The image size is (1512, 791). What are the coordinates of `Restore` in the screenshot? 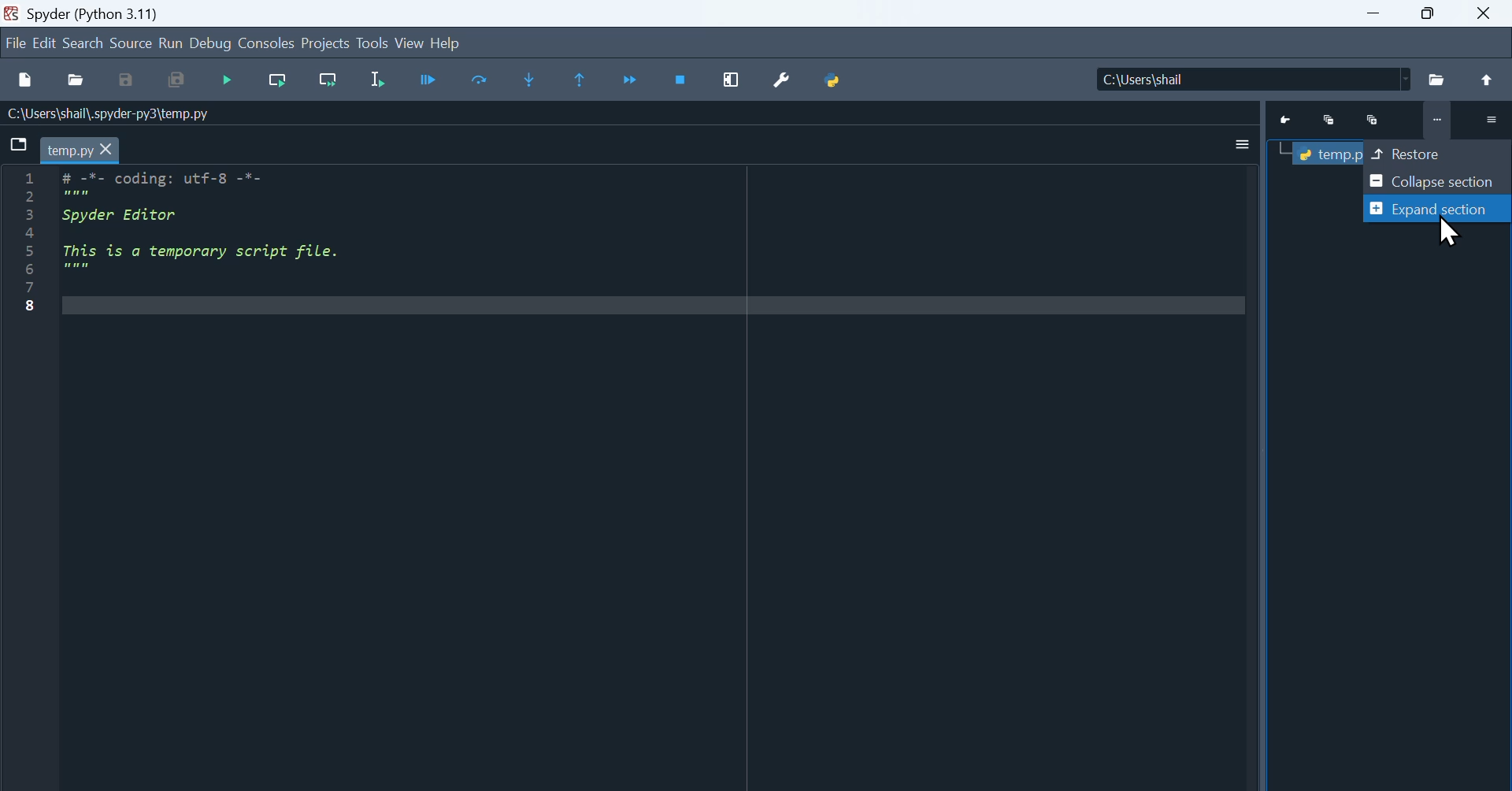 It's located at (1438, 151).